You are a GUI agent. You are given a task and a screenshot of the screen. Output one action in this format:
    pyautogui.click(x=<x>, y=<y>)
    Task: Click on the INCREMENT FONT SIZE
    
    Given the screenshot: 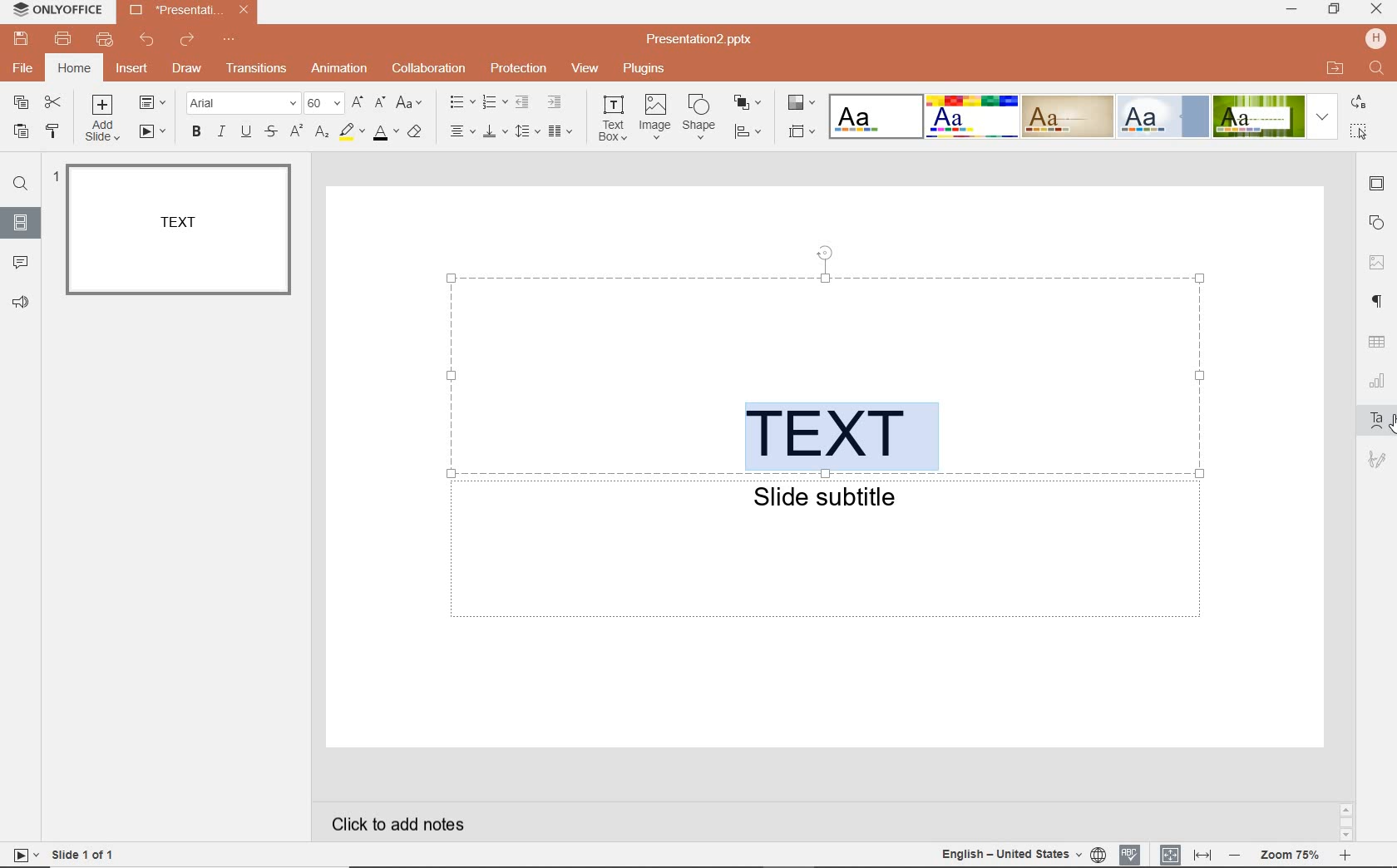 What is the action you would take?
    pyautogui.click(x=358, y=103)
    